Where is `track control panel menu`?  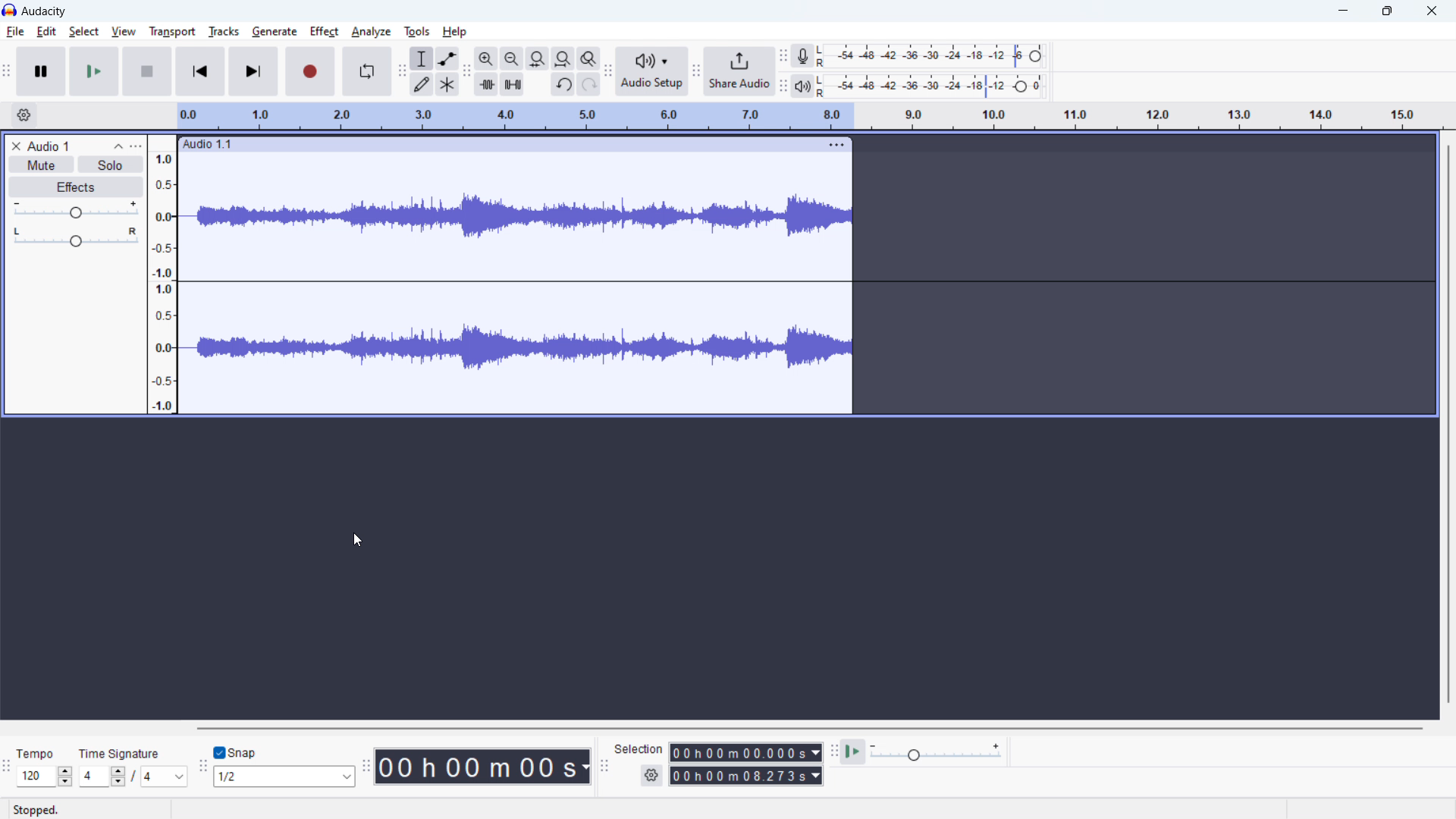 track control panel menu is located at coordinates (136, 146).